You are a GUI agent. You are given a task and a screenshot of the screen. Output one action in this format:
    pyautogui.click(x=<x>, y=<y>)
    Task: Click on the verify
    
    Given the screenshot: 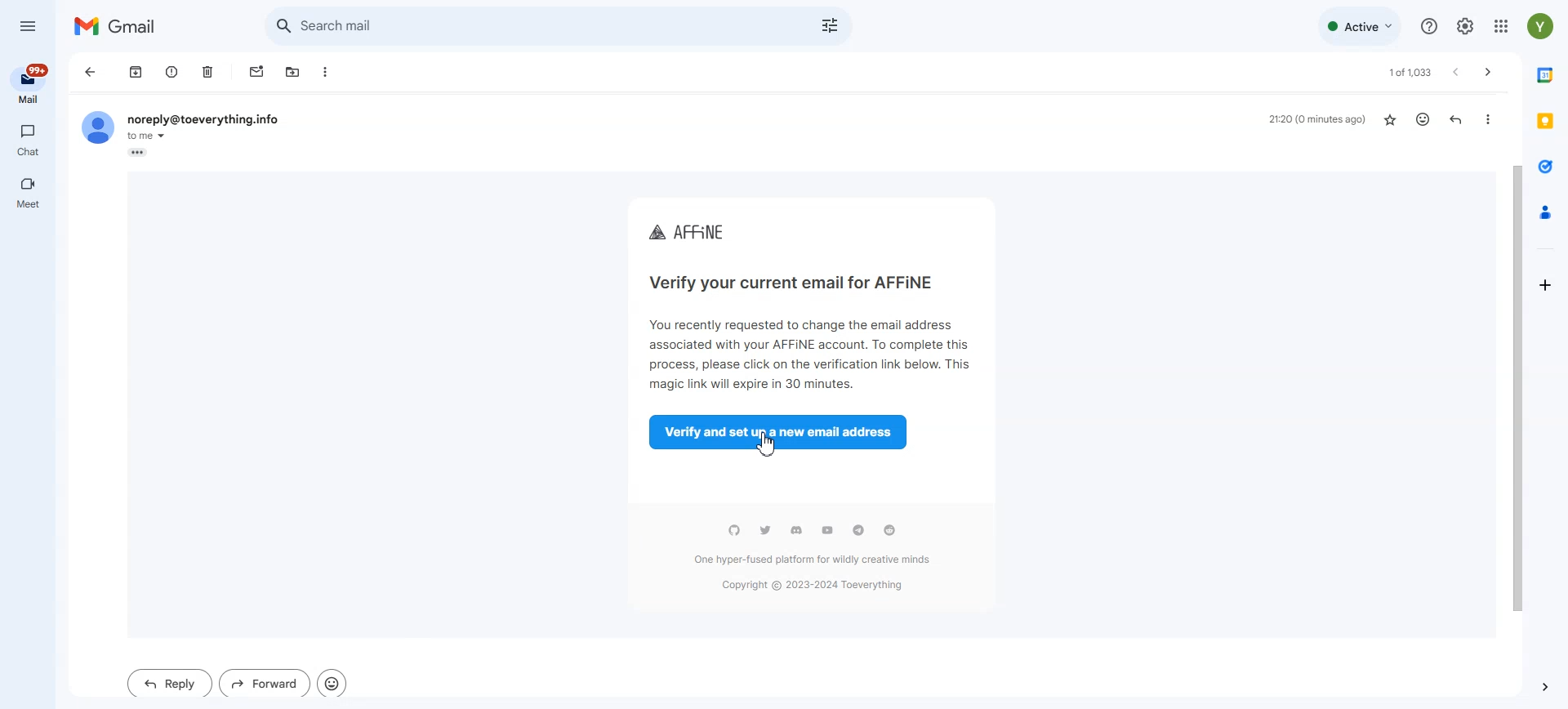 What is the action you would take?
    pyautogui.click(x=789, y=280)
    